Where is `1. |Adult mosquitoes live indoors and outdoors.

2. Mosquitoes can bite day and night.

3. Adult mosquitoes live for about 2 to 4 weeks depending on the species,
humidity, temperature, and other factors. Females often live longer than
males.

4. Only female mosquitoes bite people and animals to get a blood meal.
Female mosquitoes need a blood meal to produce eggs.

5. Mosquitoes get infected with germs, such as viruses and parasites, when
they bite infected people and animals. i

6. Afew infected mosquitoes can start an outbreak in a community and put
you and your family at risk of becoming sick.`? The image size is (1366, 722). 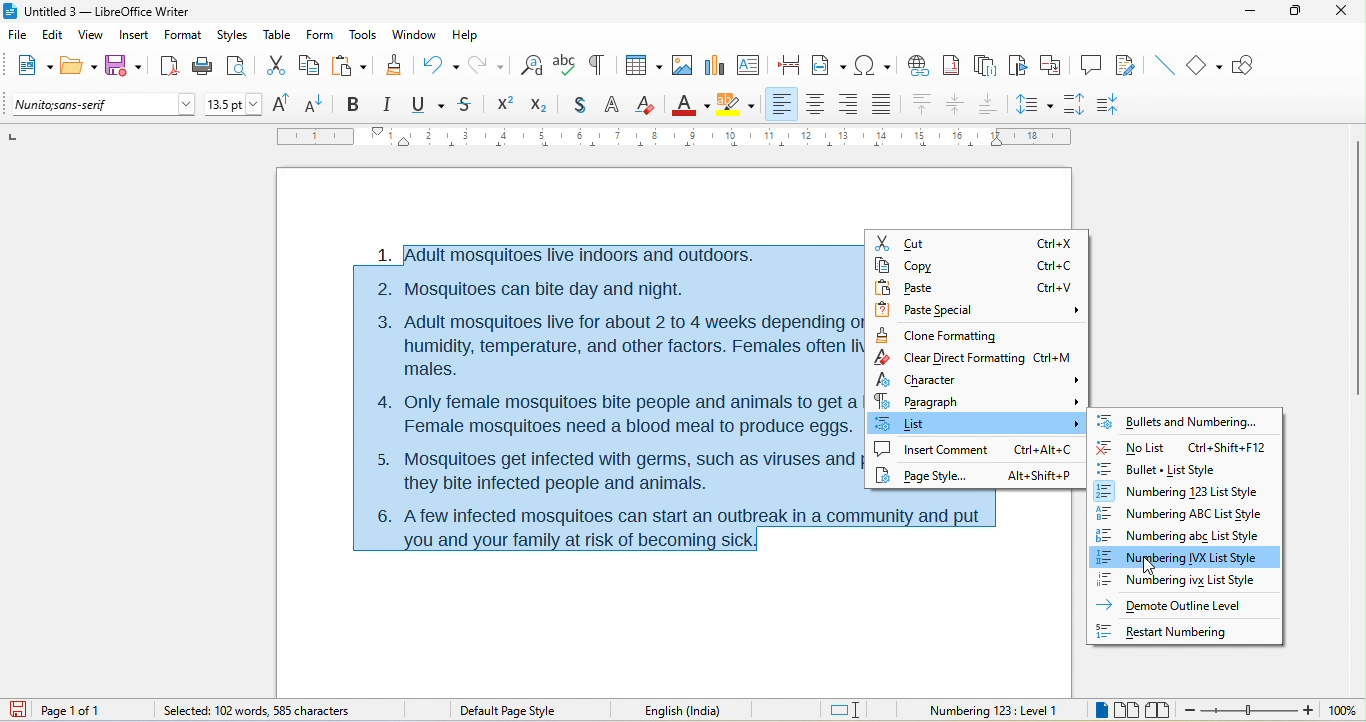
1. |Adult mosquitoes live indoors and outdoors.

2. Mosquitoes can bite day and night.

3. Adult mosquitoes live for about 2 to 4 weeks depending on the species,
humidity, temperature, and other factors. Females often live longer than
males.

4. Only female mosquitoes bite people and animals to get a blood meal.
Female mosquitoes need a blood meal to produce eggs.

5. Mosquitoes get infected with germs, such as viruses and parasites, when
they bite infected people and animals. i

6. Afew infected mosquitoes can start an outbreak in a community and put
you and your family at risk of becoming sick. is located at coordinates (605, 396).